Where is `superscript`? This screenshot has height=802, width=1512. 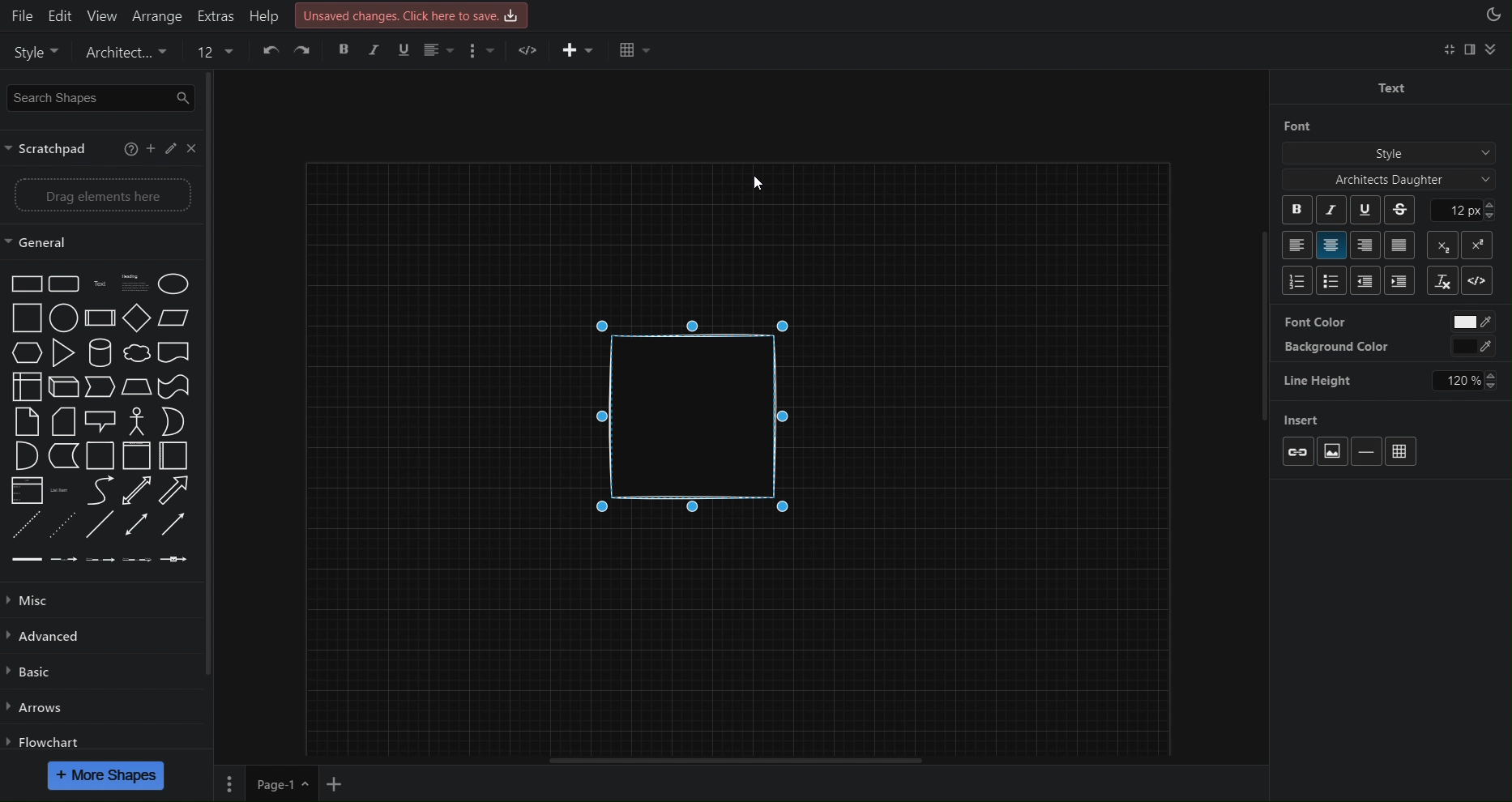 superscript is located at coordinates (1482, 243).